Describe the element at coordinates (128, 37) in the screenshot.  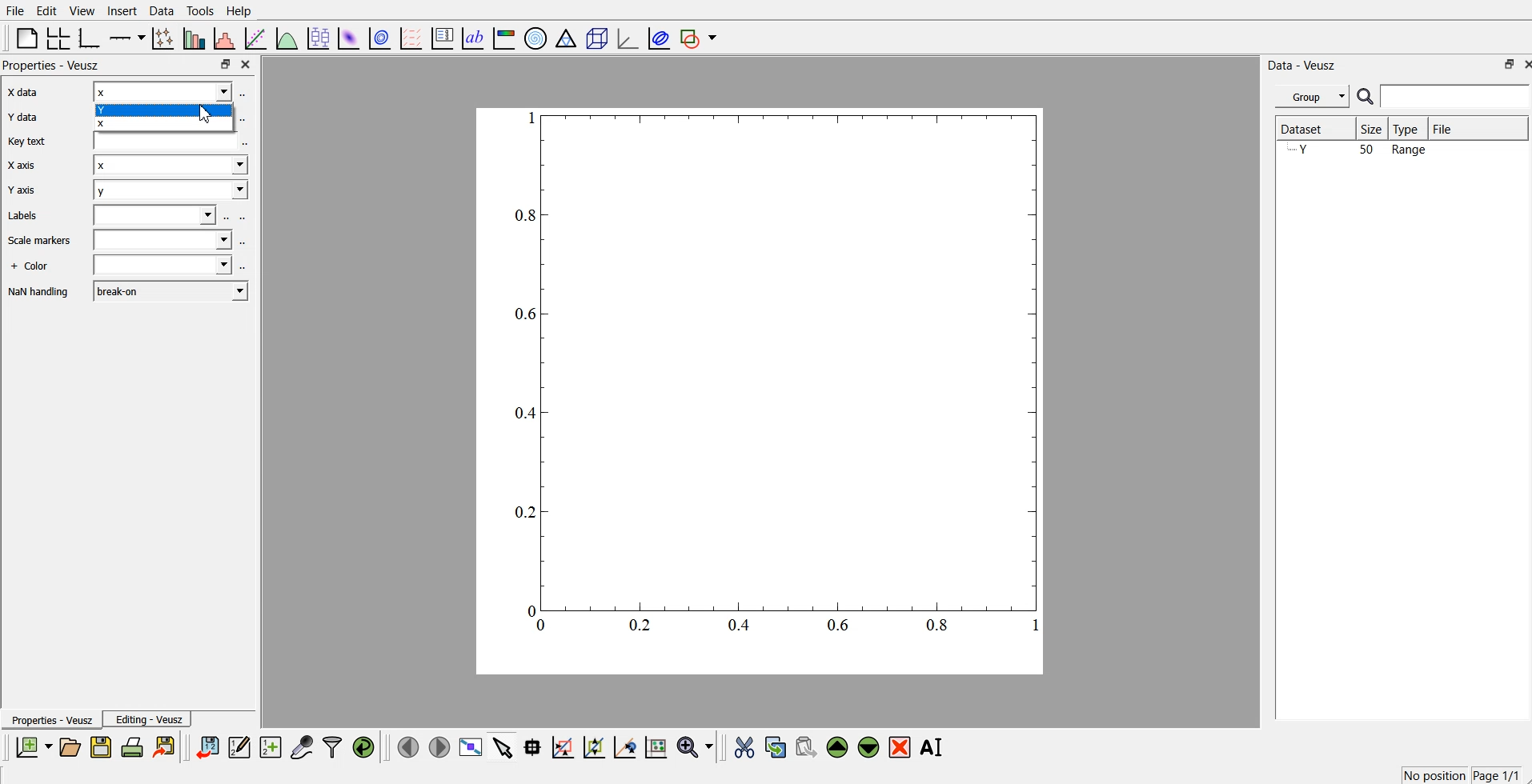
I see `Add an axis` at that location.